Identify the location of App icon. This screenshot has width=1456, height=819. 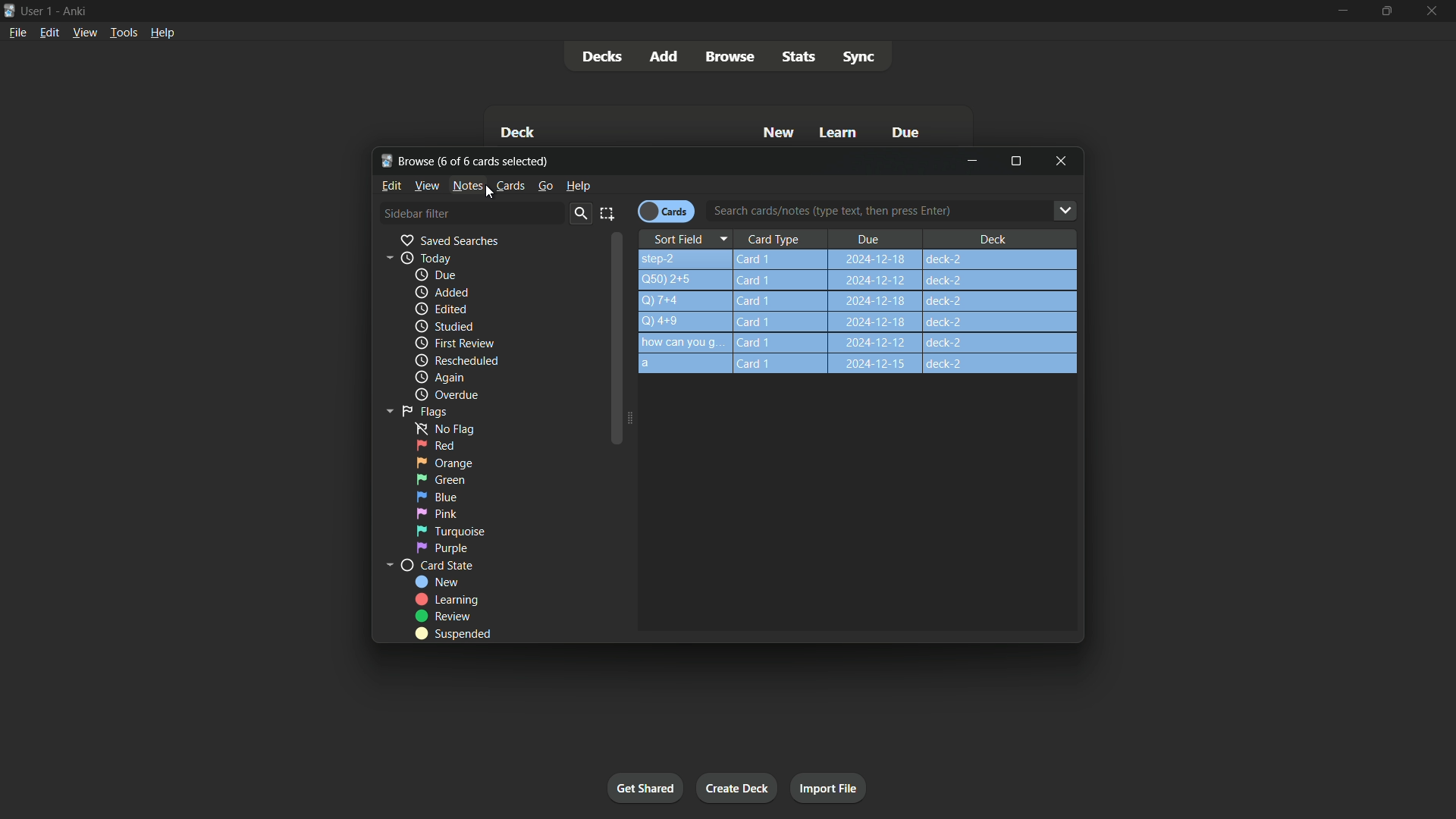
(9, 11).